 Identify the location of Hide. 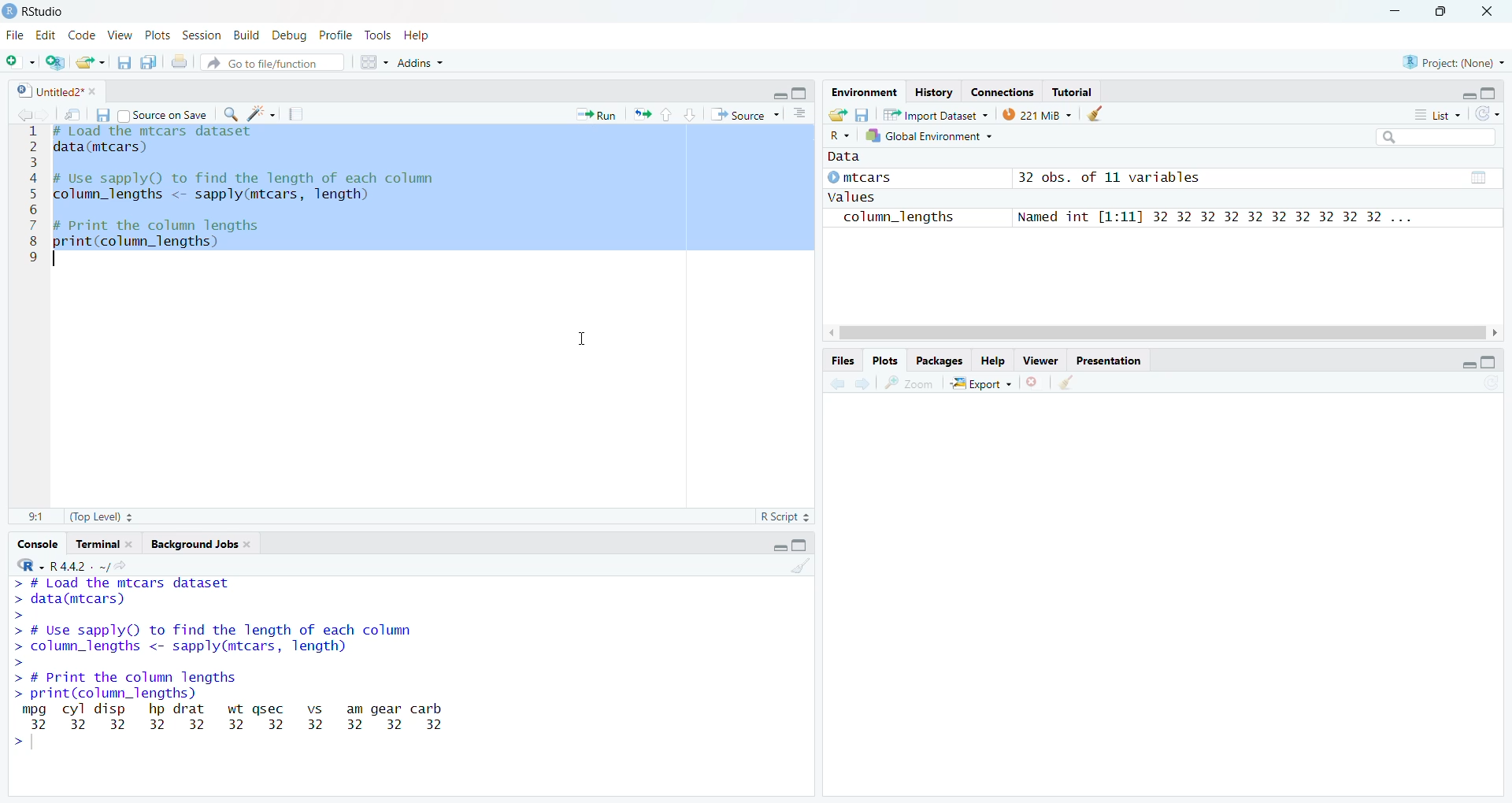
(778, 93).